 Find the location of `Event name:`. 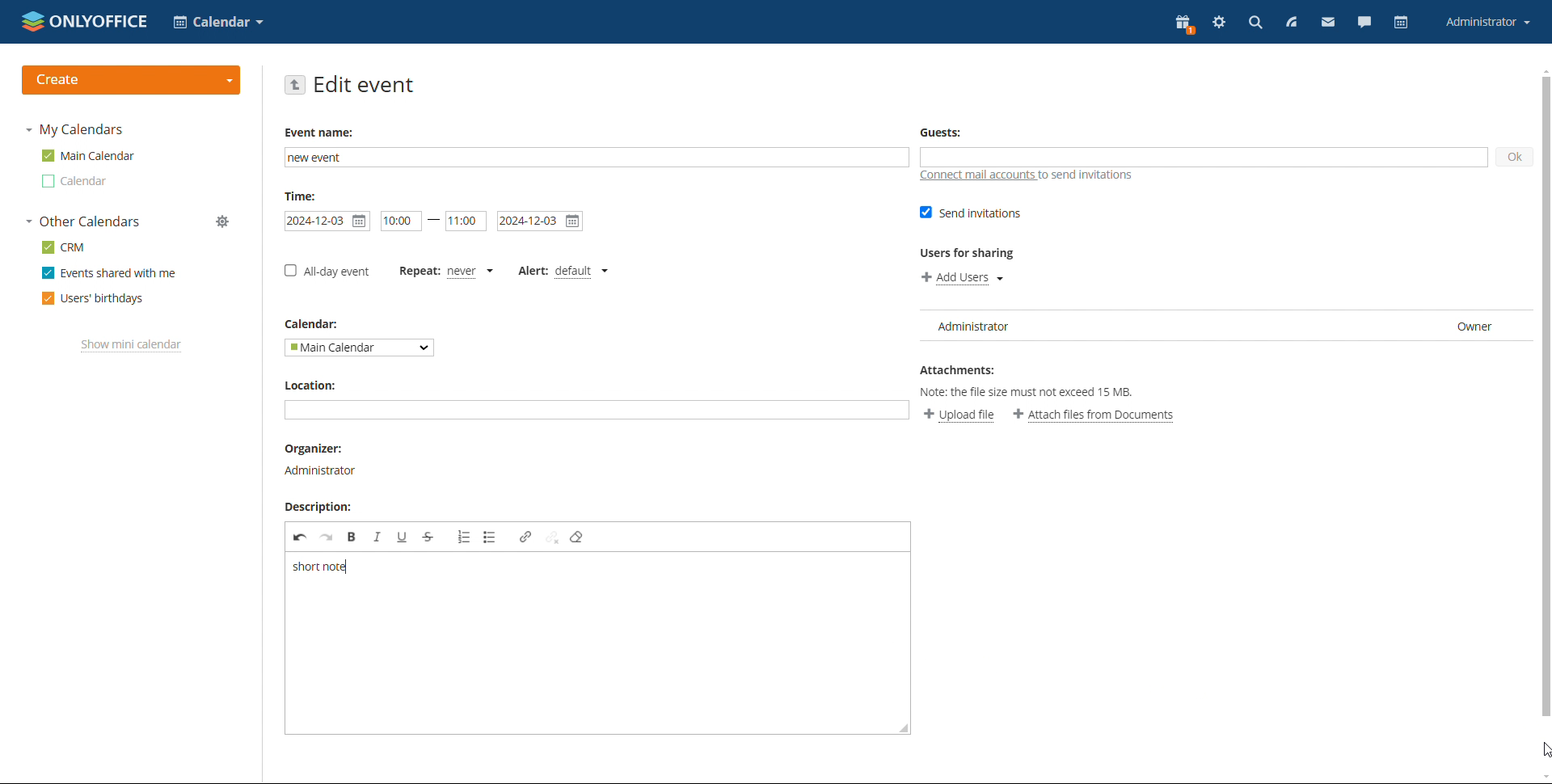

Event name: is located at coordinates (322, 133).